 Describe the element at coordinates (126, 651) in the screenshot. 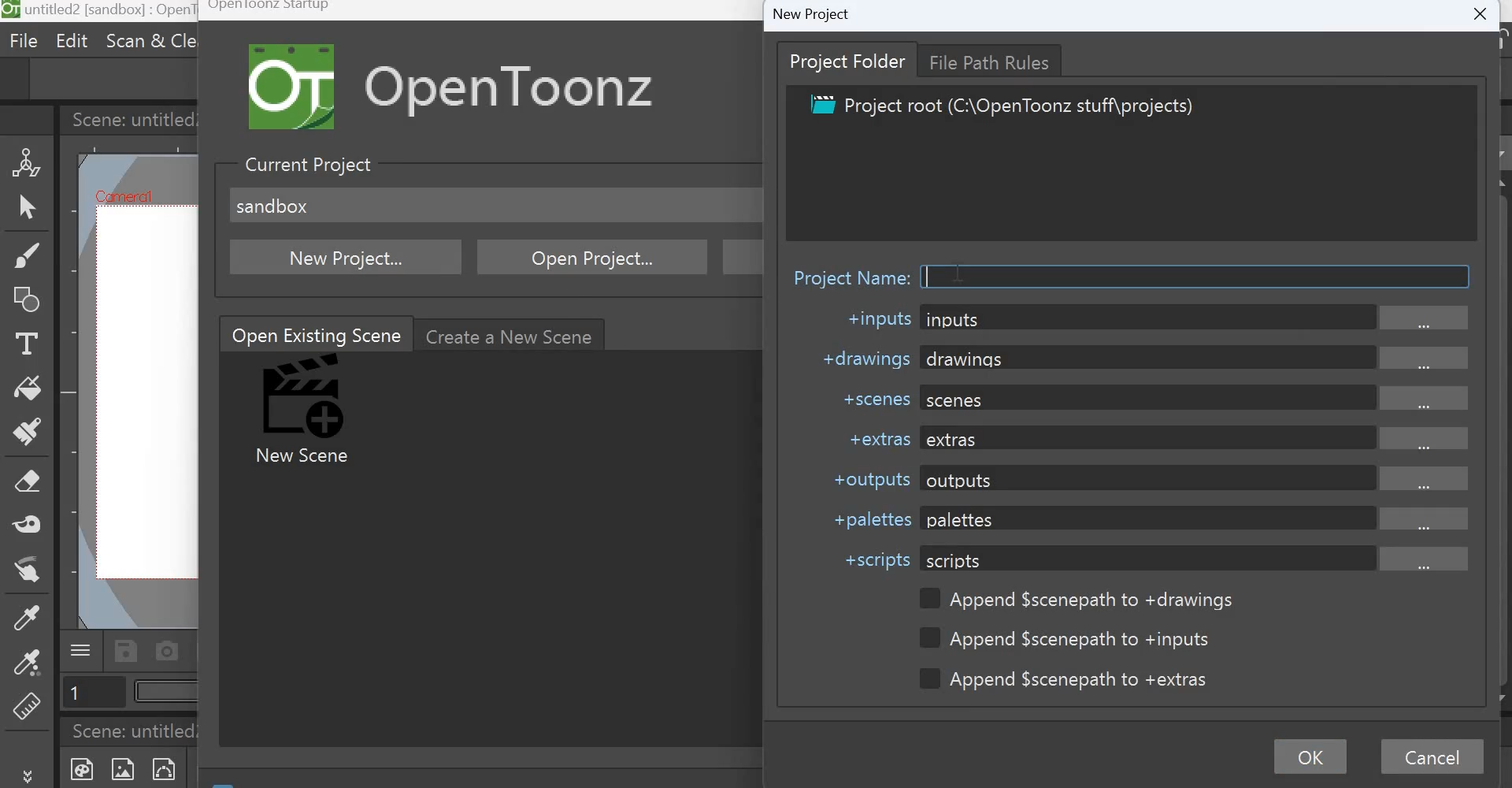

I see `Save scene` at that location.